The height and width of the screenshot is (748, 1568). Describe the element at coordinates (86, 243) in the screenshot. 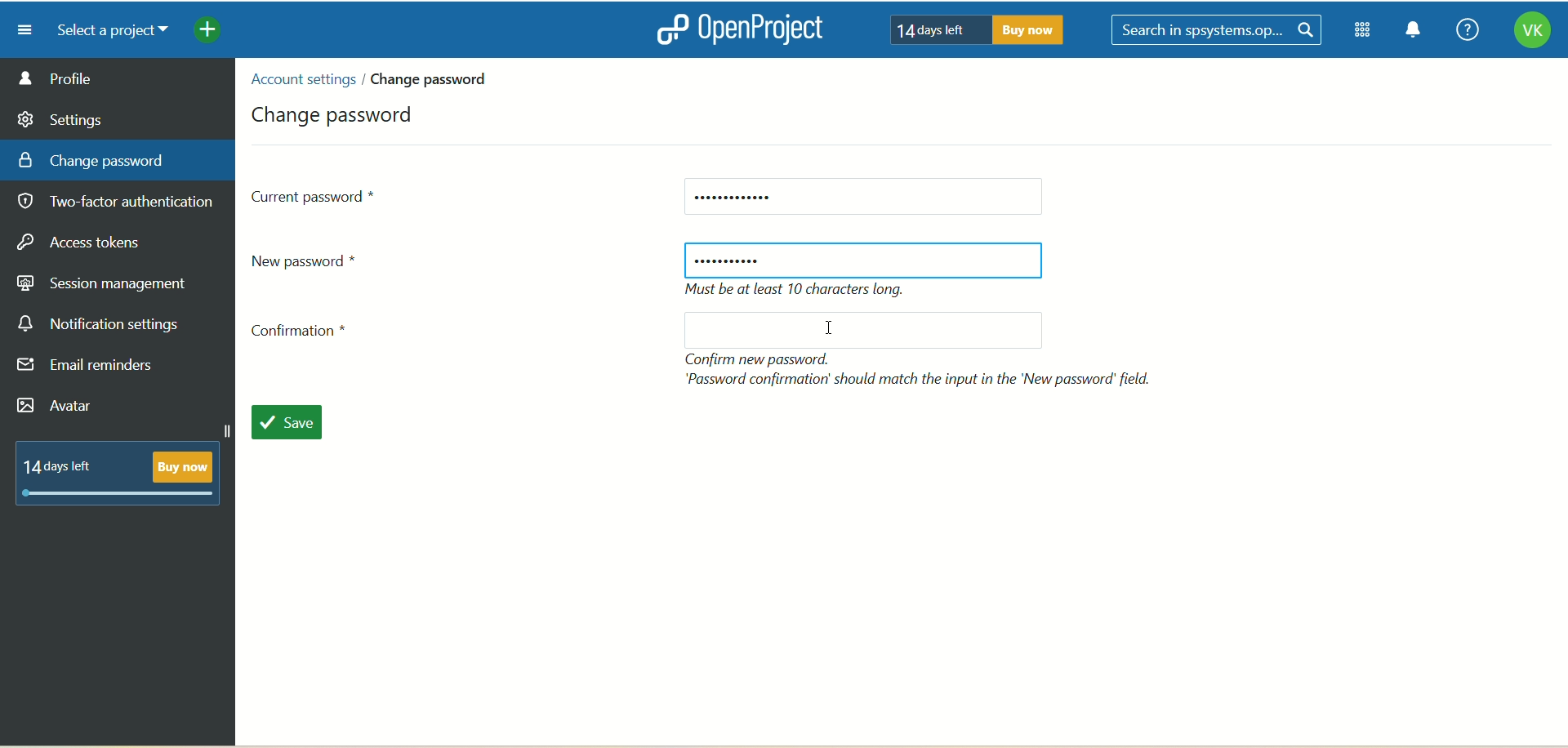

I see `access takers` at that location.